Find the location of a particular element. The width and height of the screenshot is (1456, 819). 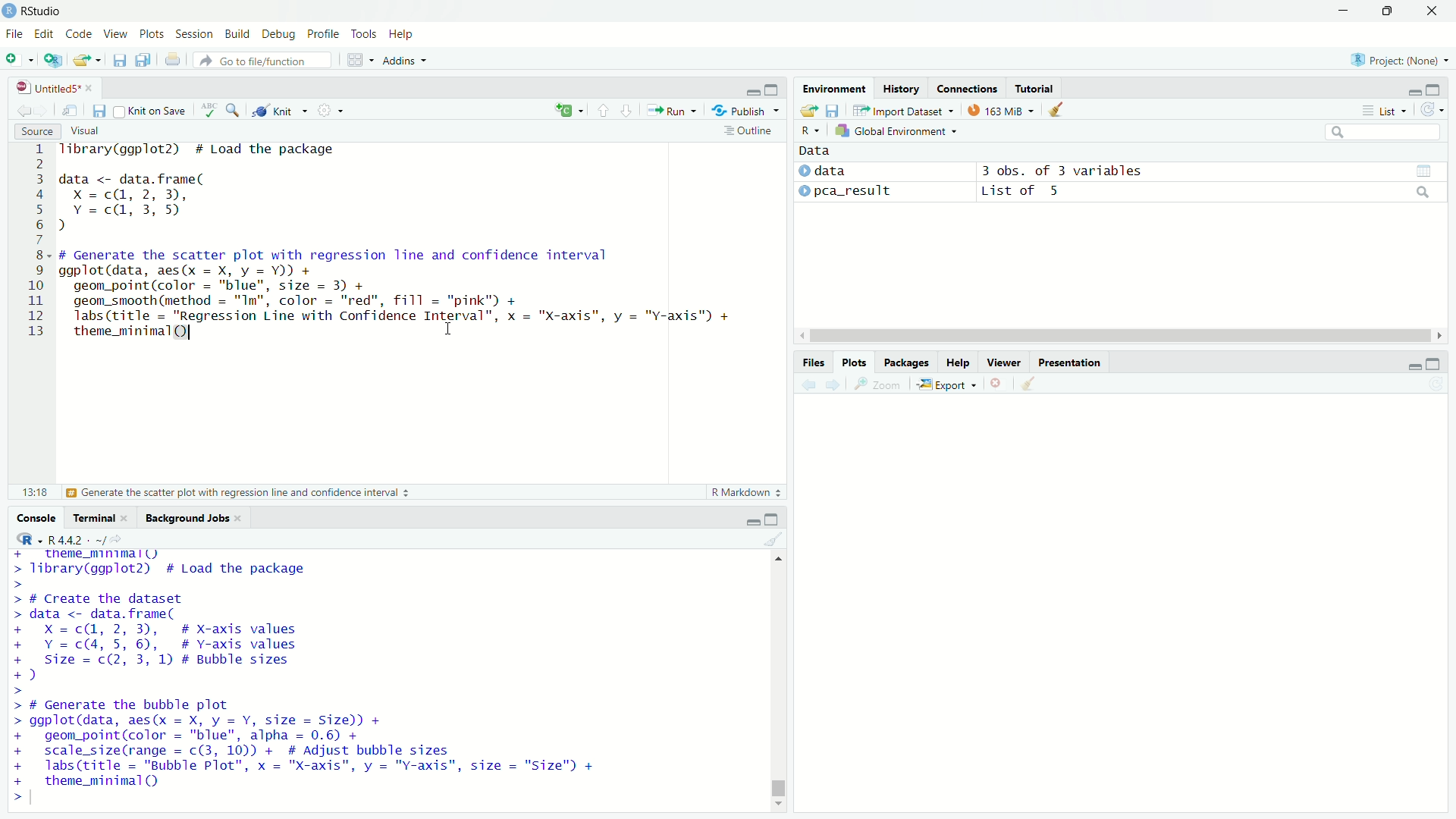

Check spelling in the document is located at coordinates (208, 110).